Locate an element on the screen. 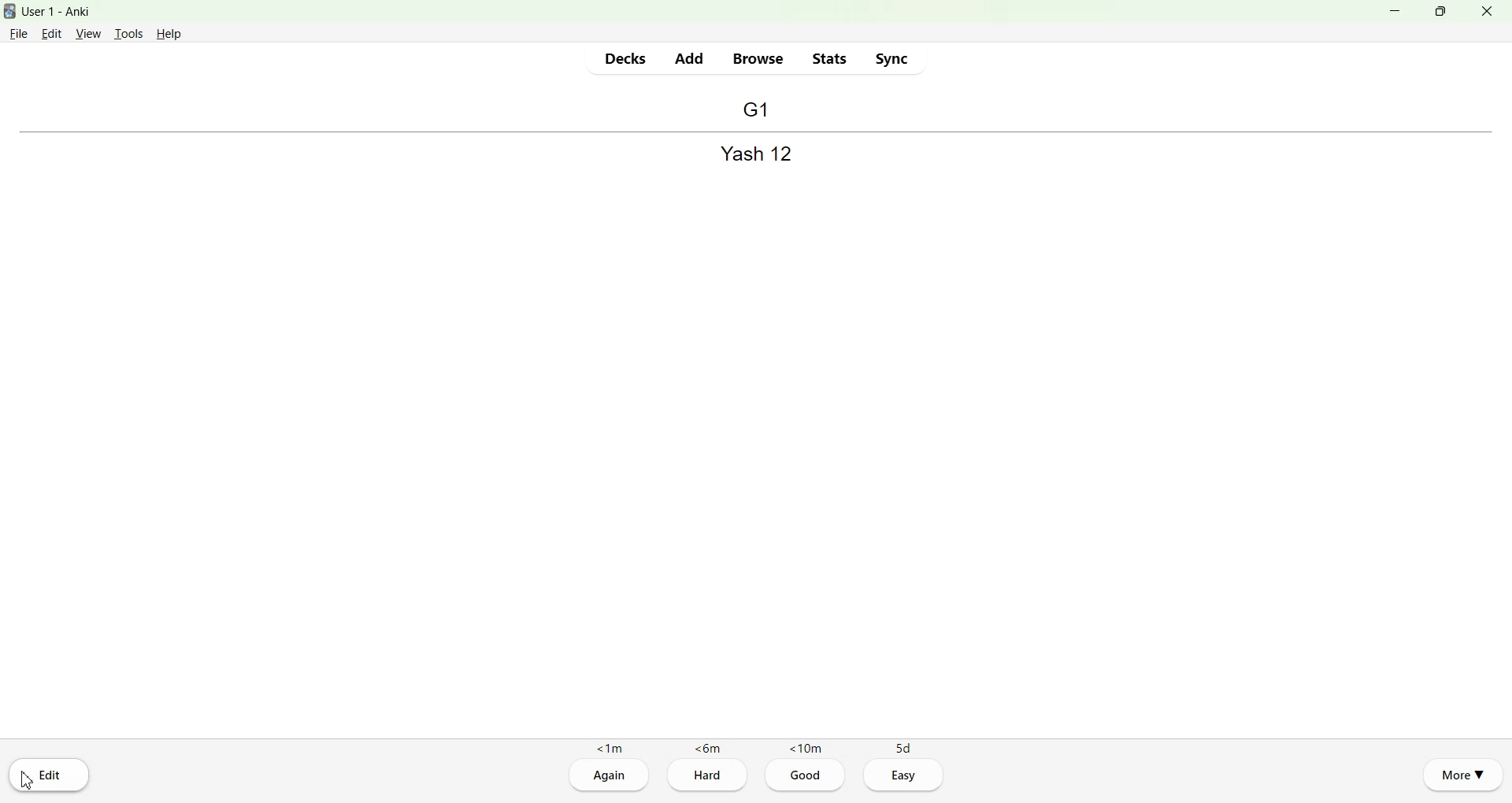  File is located at coordinates (19, 32).